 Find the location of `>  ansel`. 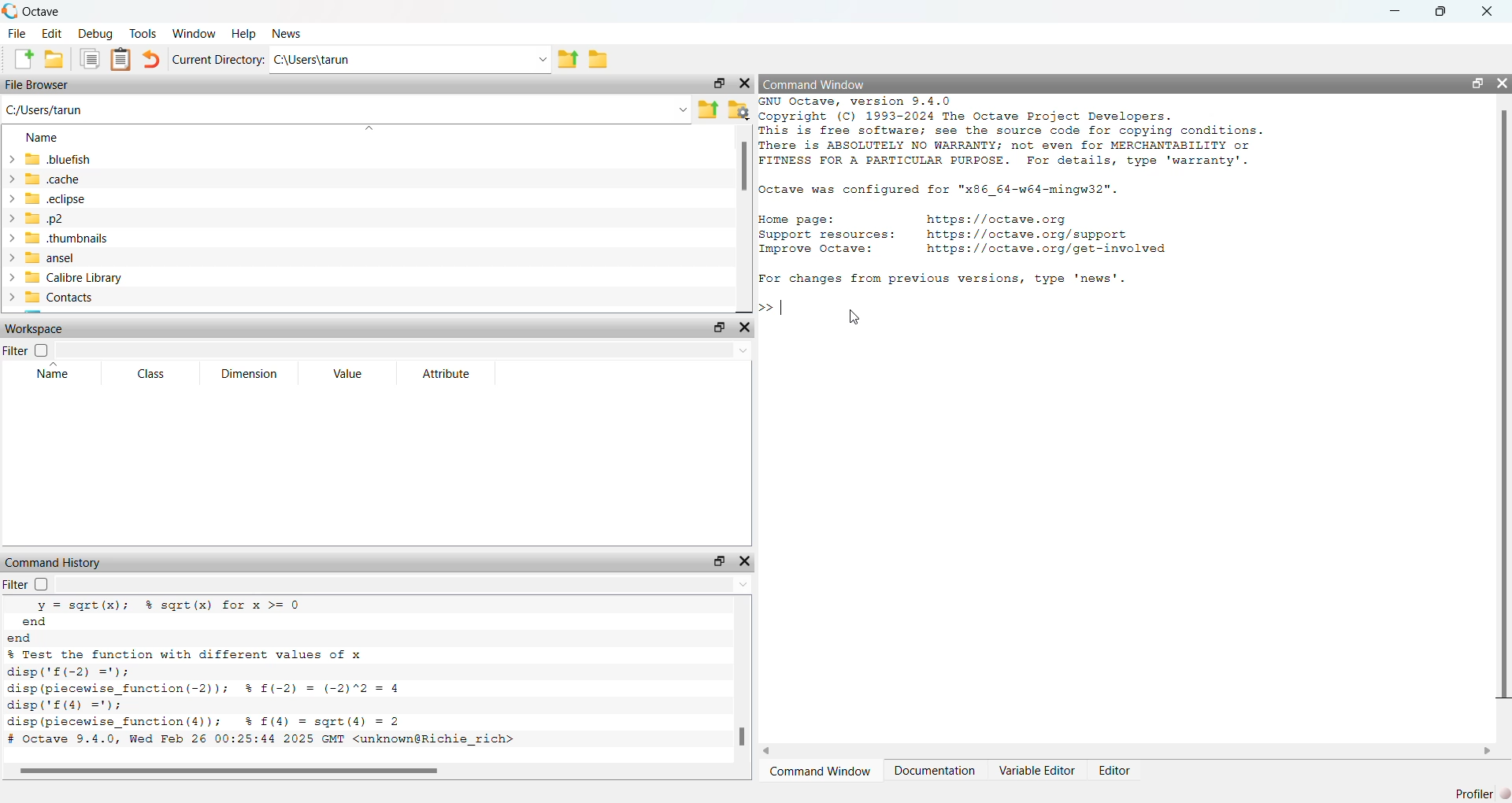

>  ansel is located at coordinates (43, 258).